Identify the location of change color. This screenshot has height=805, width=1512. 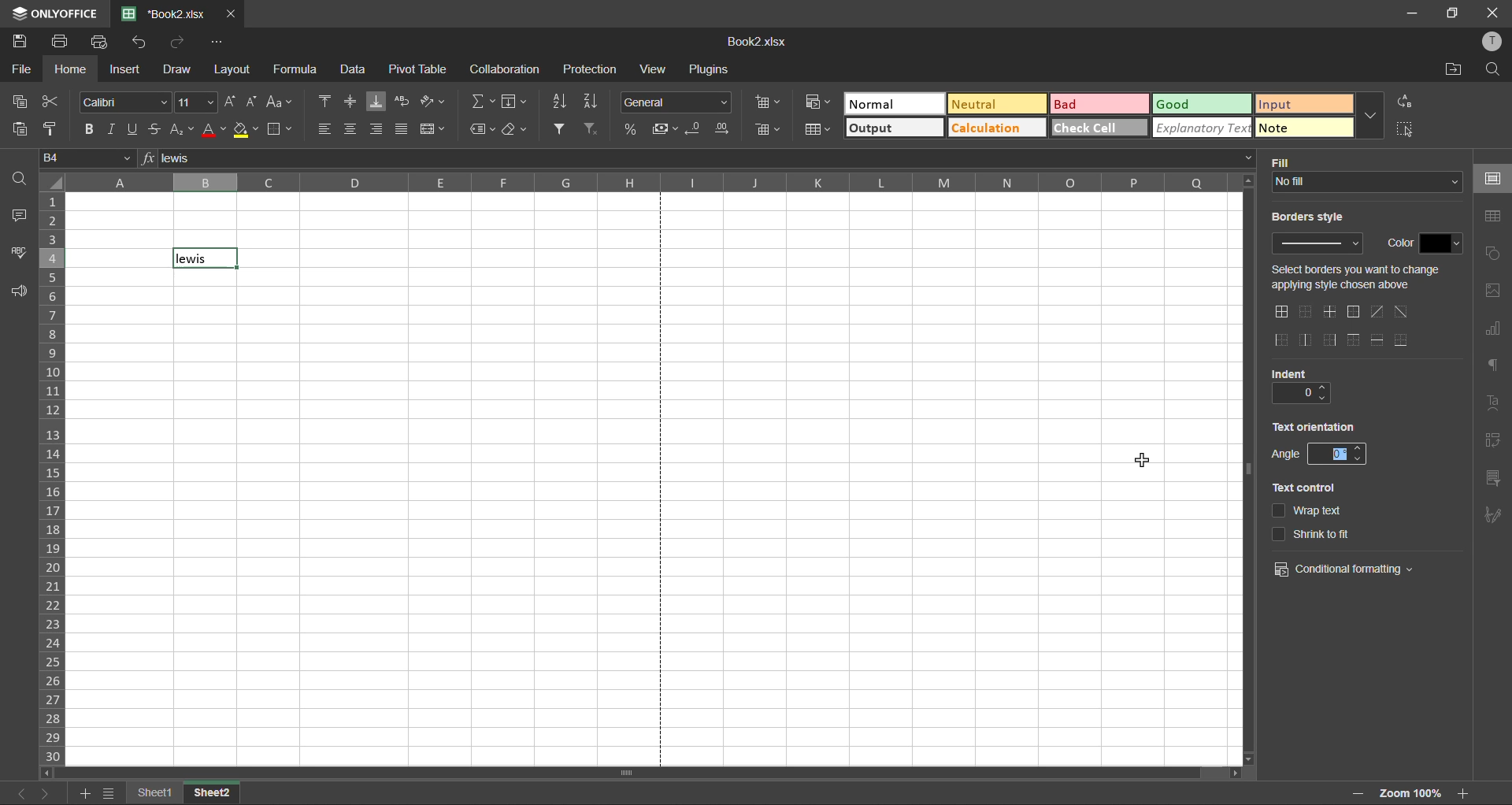
(1444, 242).